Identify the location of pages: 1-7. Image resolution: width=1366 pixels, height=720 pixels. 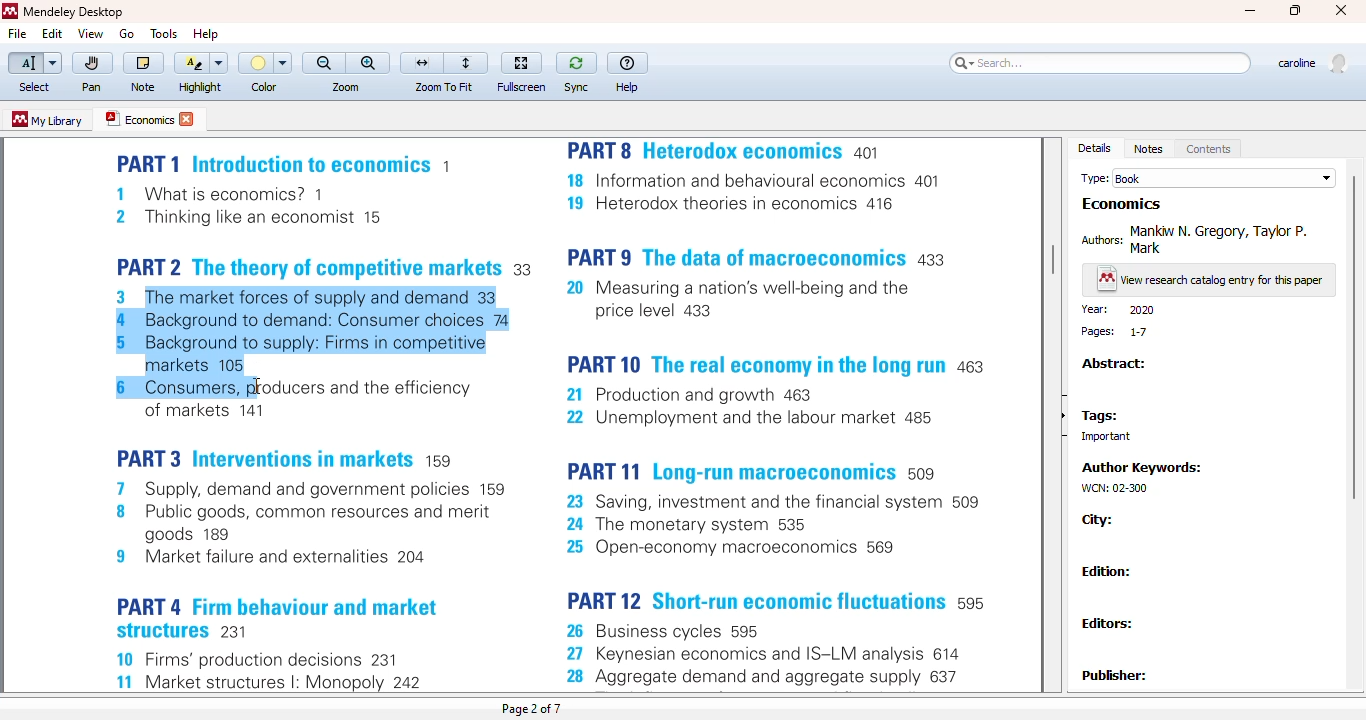
(1116, 332).